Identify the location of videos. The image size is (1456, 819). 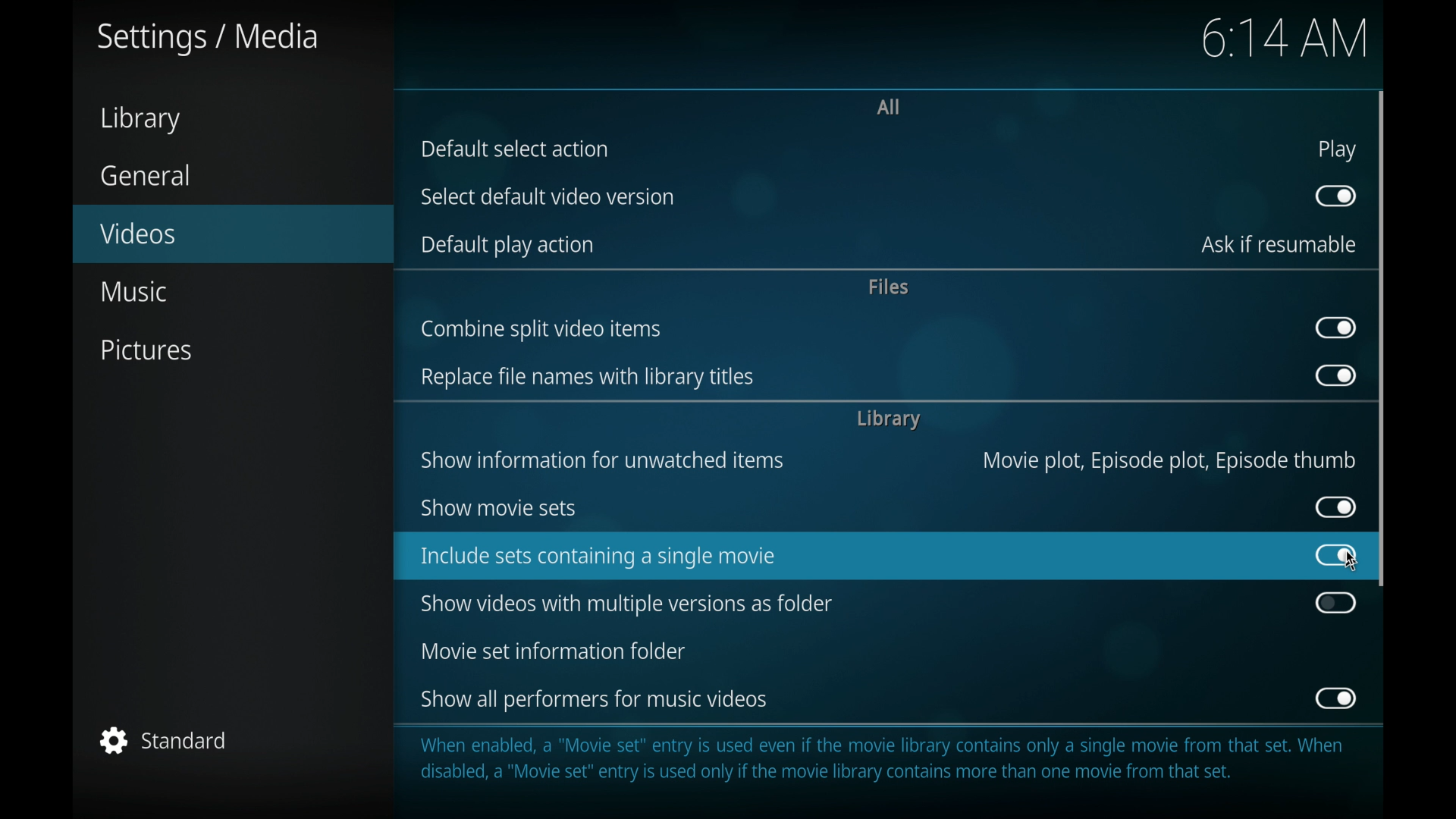
(235, 234).